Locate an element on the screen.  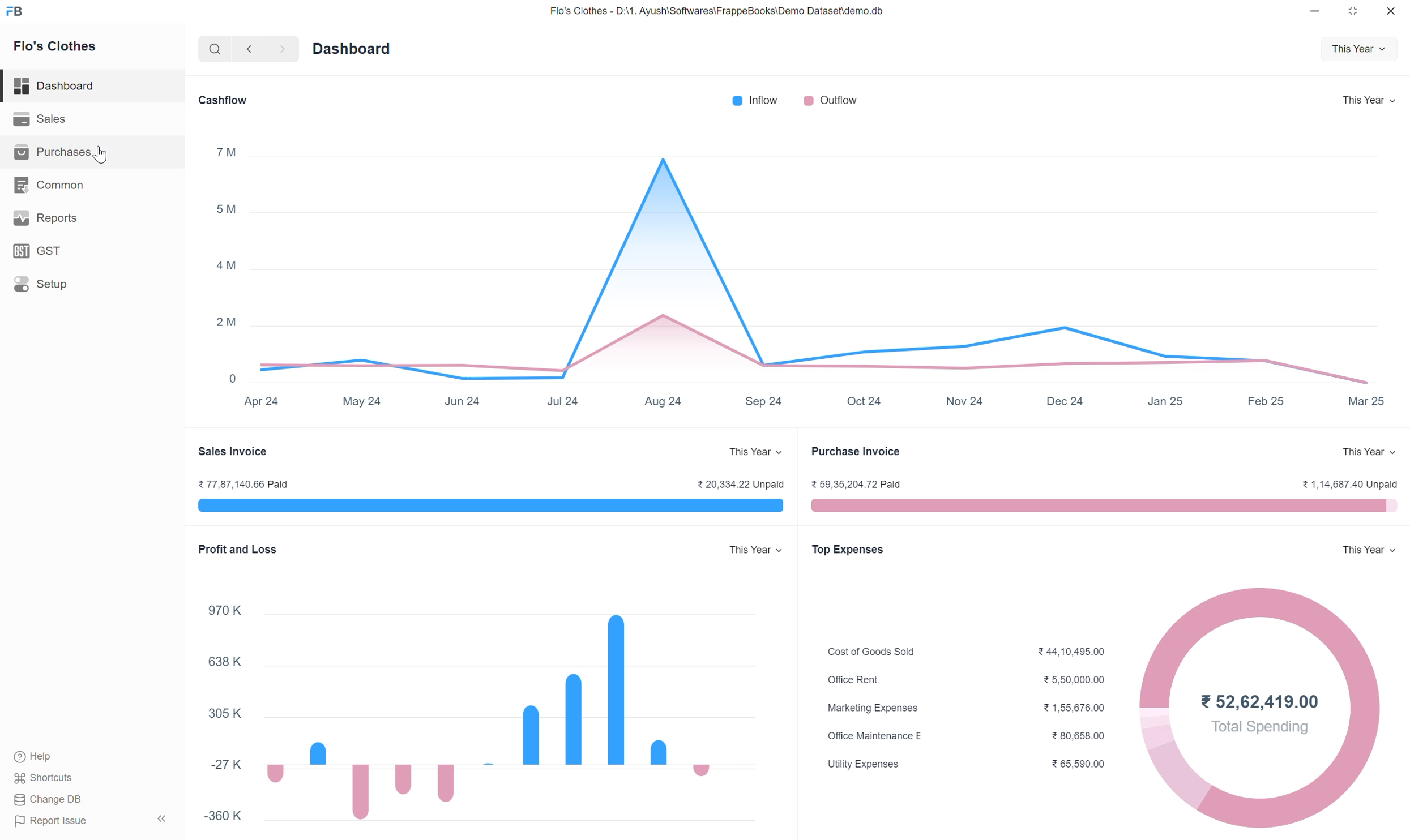
previous is located at coordinates (249, 49).